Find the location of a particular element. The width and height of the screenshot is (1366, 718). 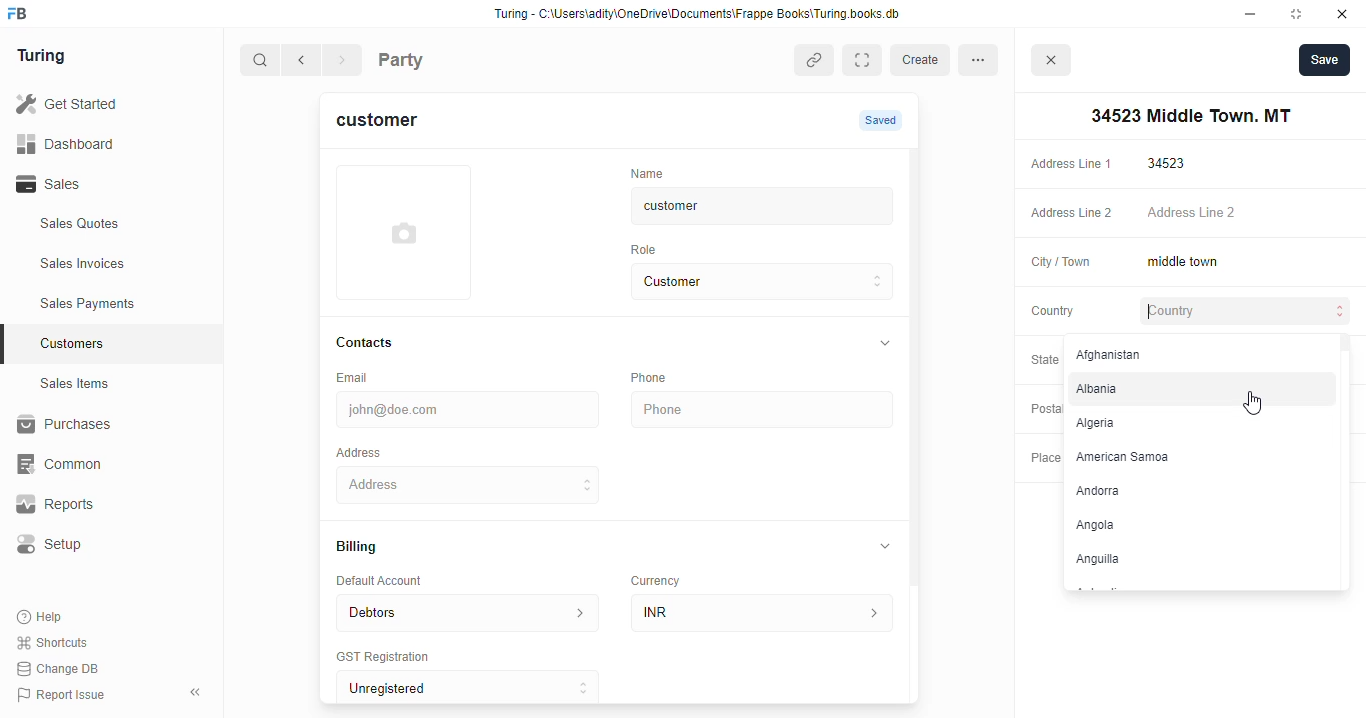

Country is located at coordinates (1051, 310).